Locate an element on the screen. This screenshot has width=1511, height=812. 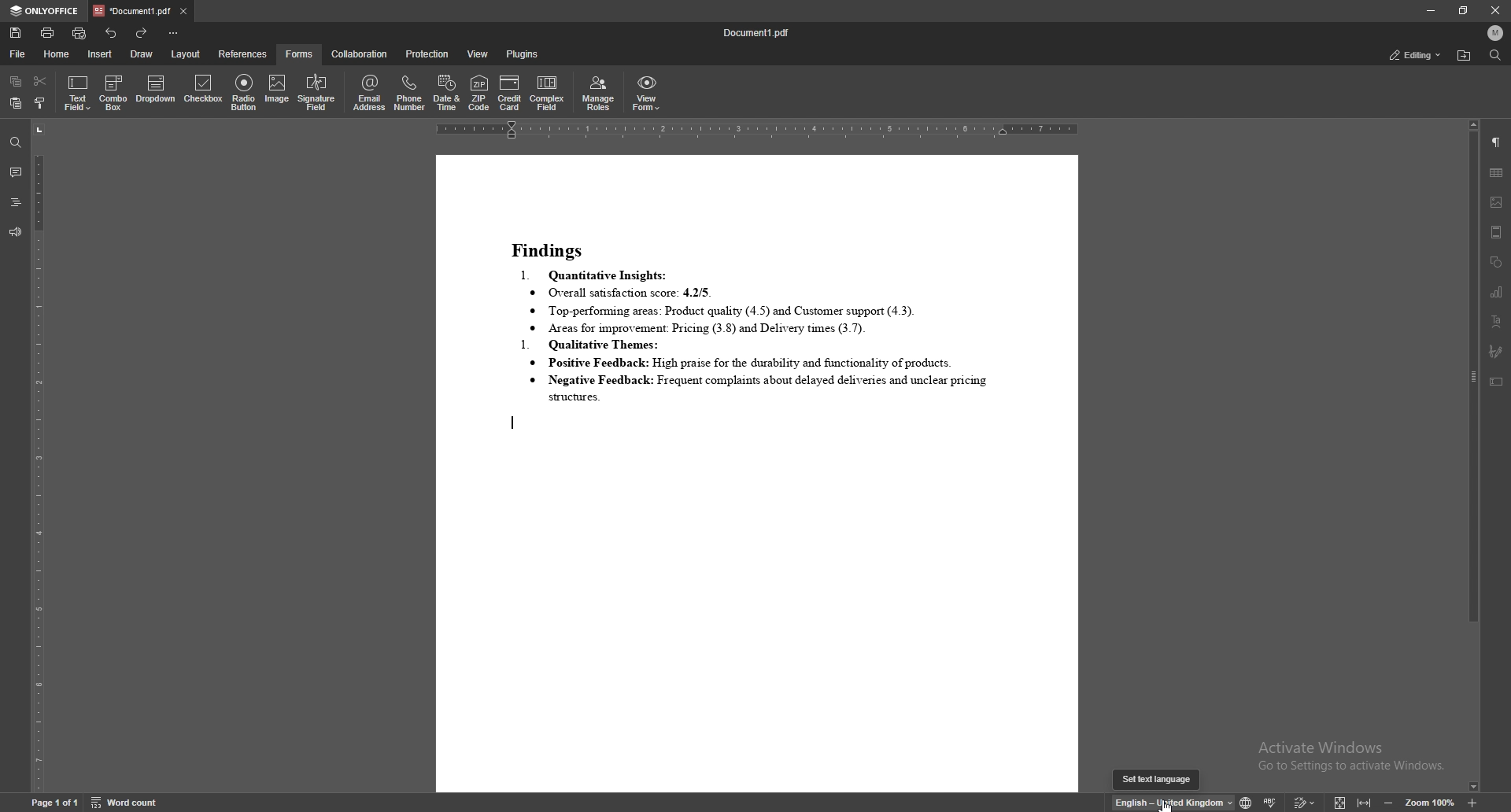
tab is located at coordinates (131, 11).